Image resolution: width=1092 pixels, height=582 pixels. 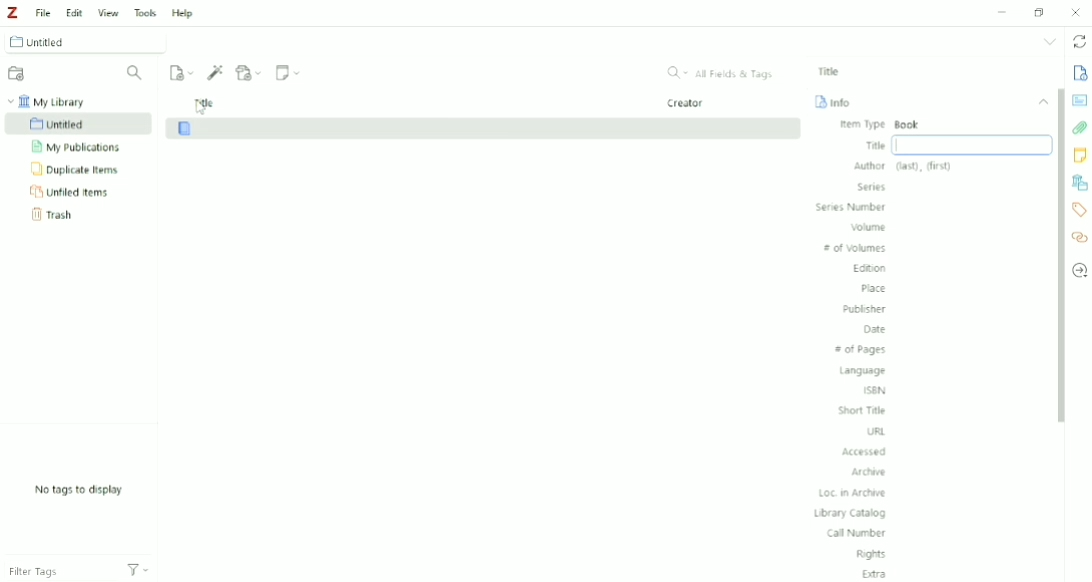 What do you see at coordinates (881, 125) in the screenshot?
I see `Item Type` at bounding box center [881, 125].